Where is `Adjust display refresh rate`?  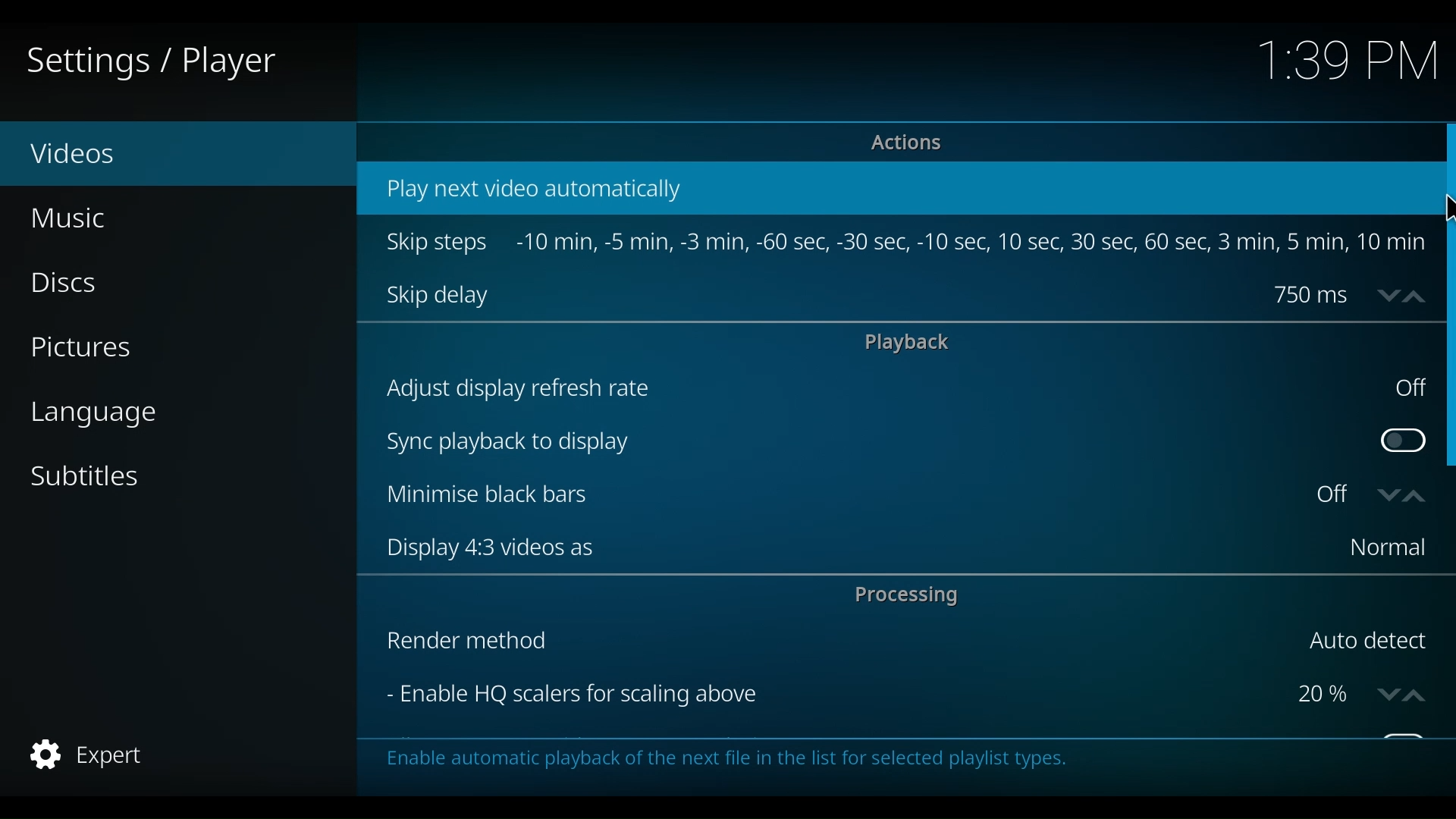
Adjust display refresh rate is located at coordinates (875, 392).